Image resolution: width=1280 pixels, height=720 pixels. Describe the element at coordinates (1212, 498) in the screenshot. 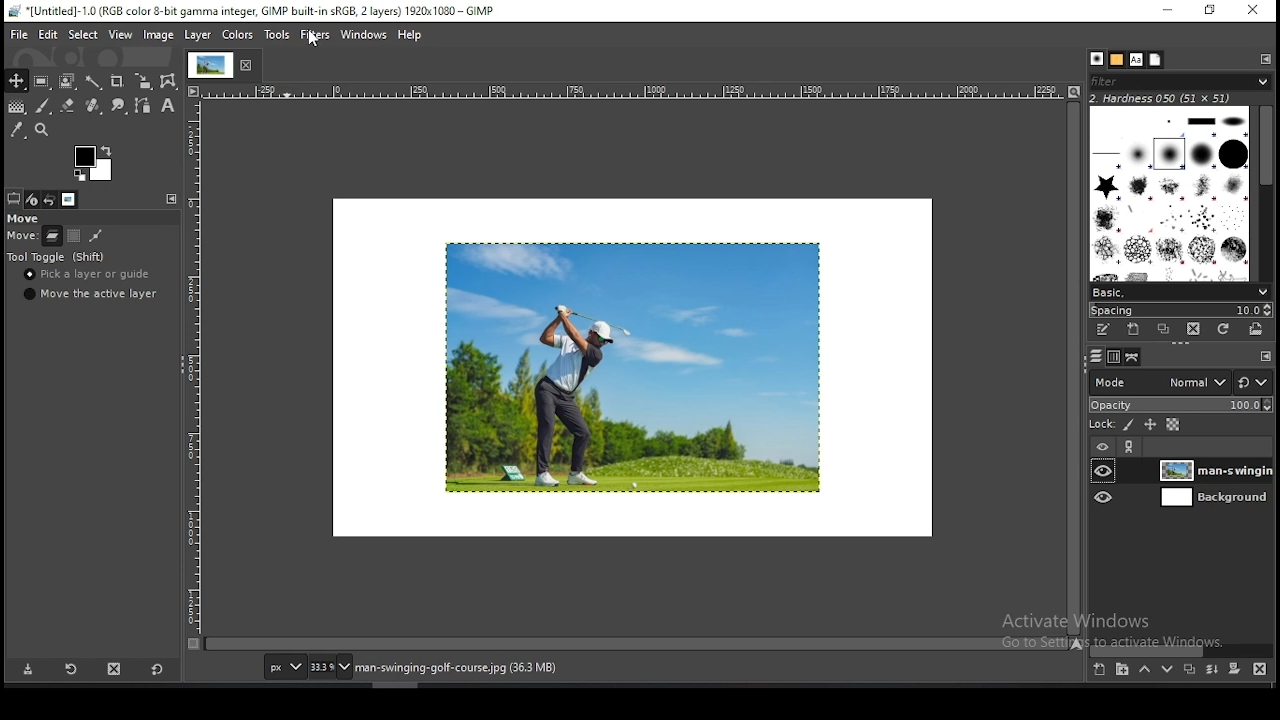

I see `layer` at that location.